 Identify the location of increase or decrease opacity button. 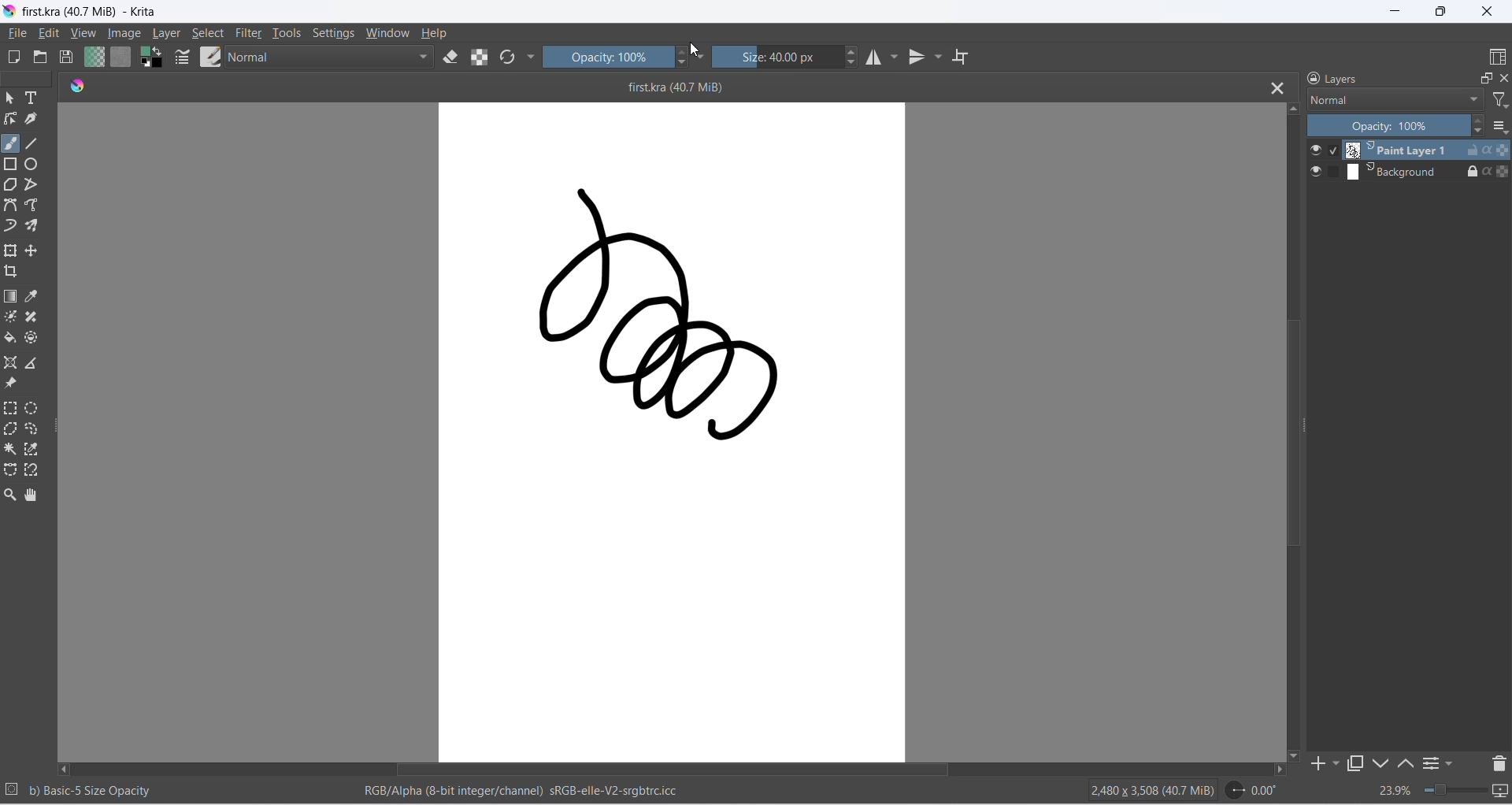
(1477, 125).